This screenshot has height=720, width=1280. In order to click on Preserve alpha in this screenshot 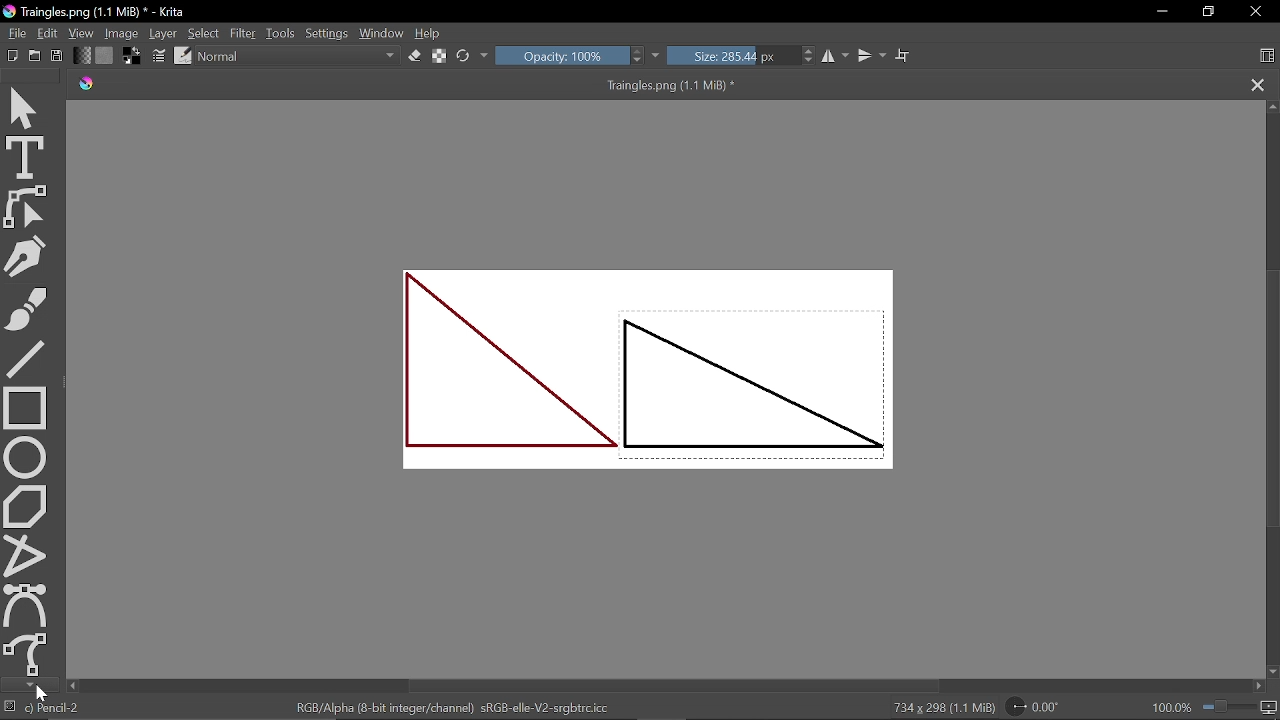, I will do `click(441, 56)`.